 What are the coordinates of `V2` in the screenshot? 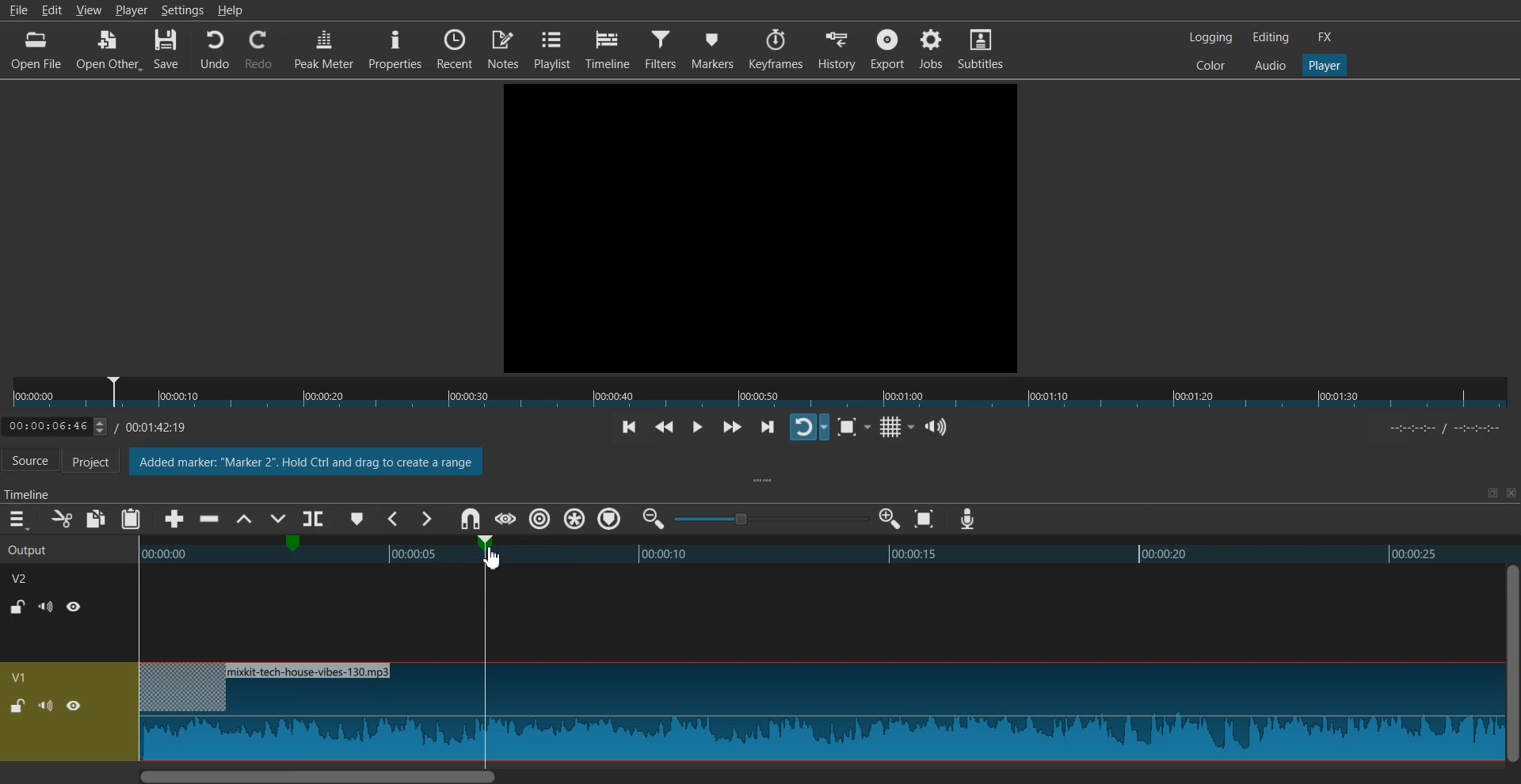 It's located at (28, 577).